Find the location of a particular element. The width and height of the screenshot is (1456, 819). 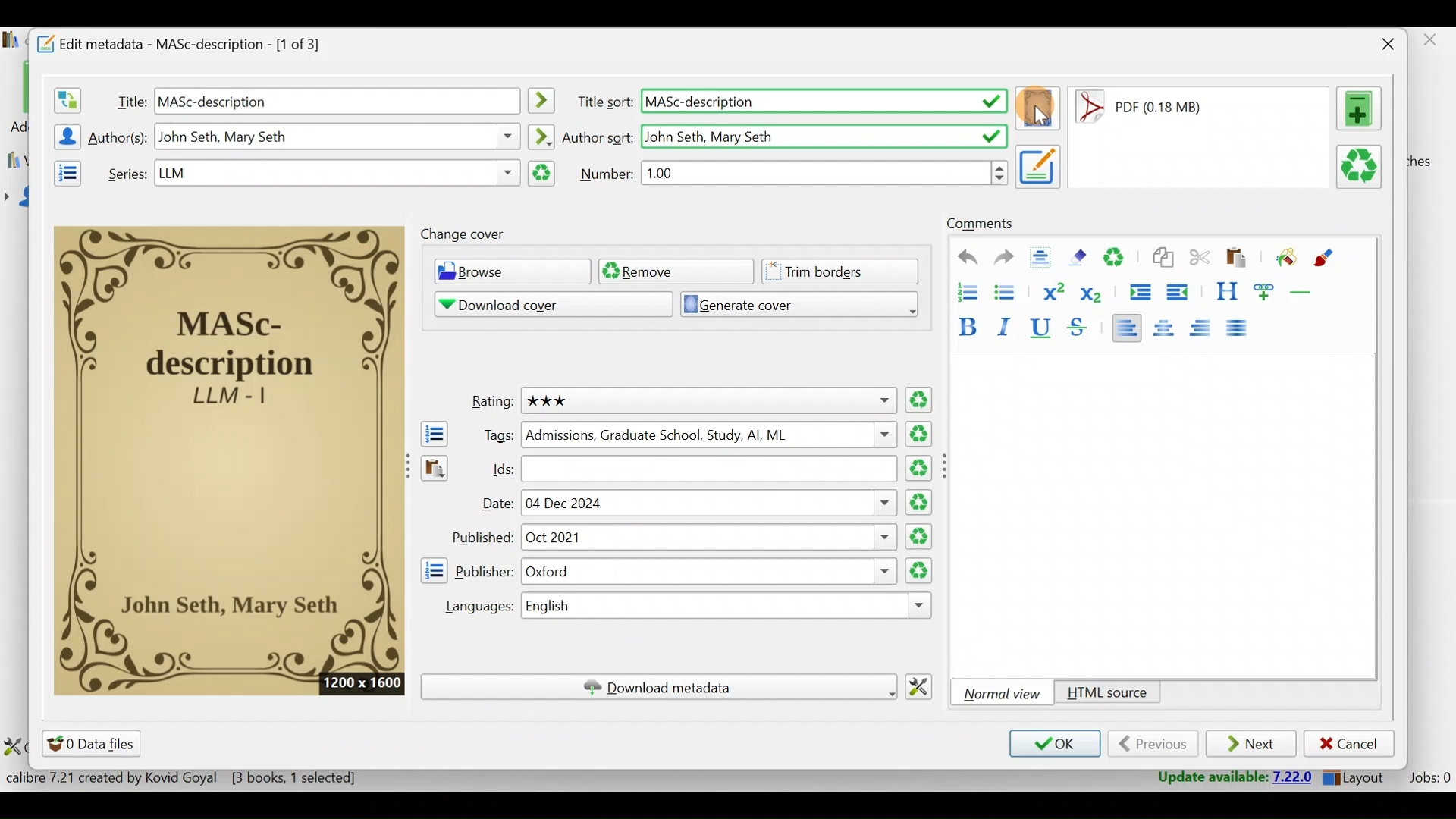

Clear all tags is located at coordinates (921, 434).